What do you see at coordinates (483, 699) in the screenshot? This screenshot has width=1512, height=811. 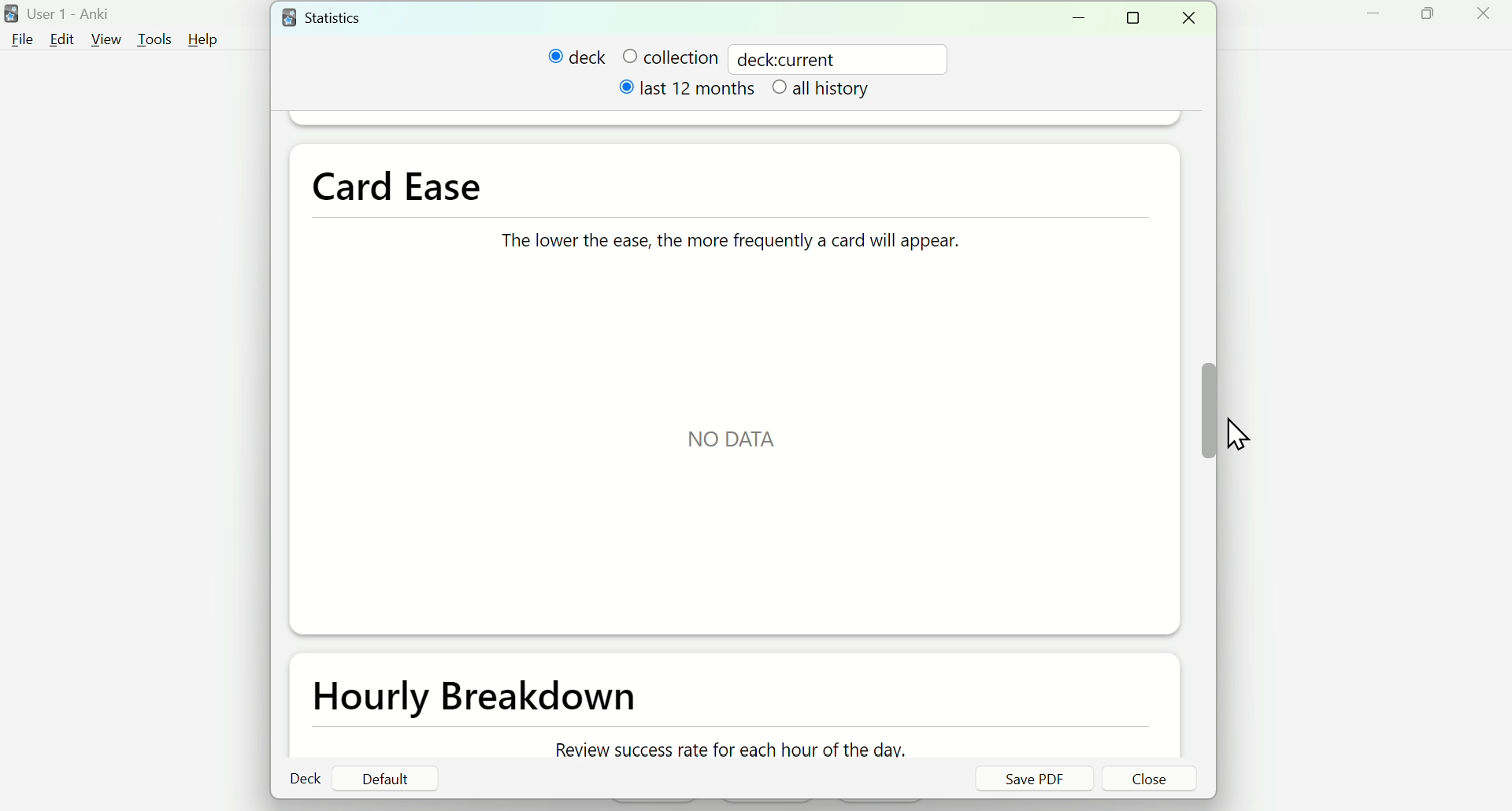 I see `Hourly Report Card` at bounding box center [483, 699].